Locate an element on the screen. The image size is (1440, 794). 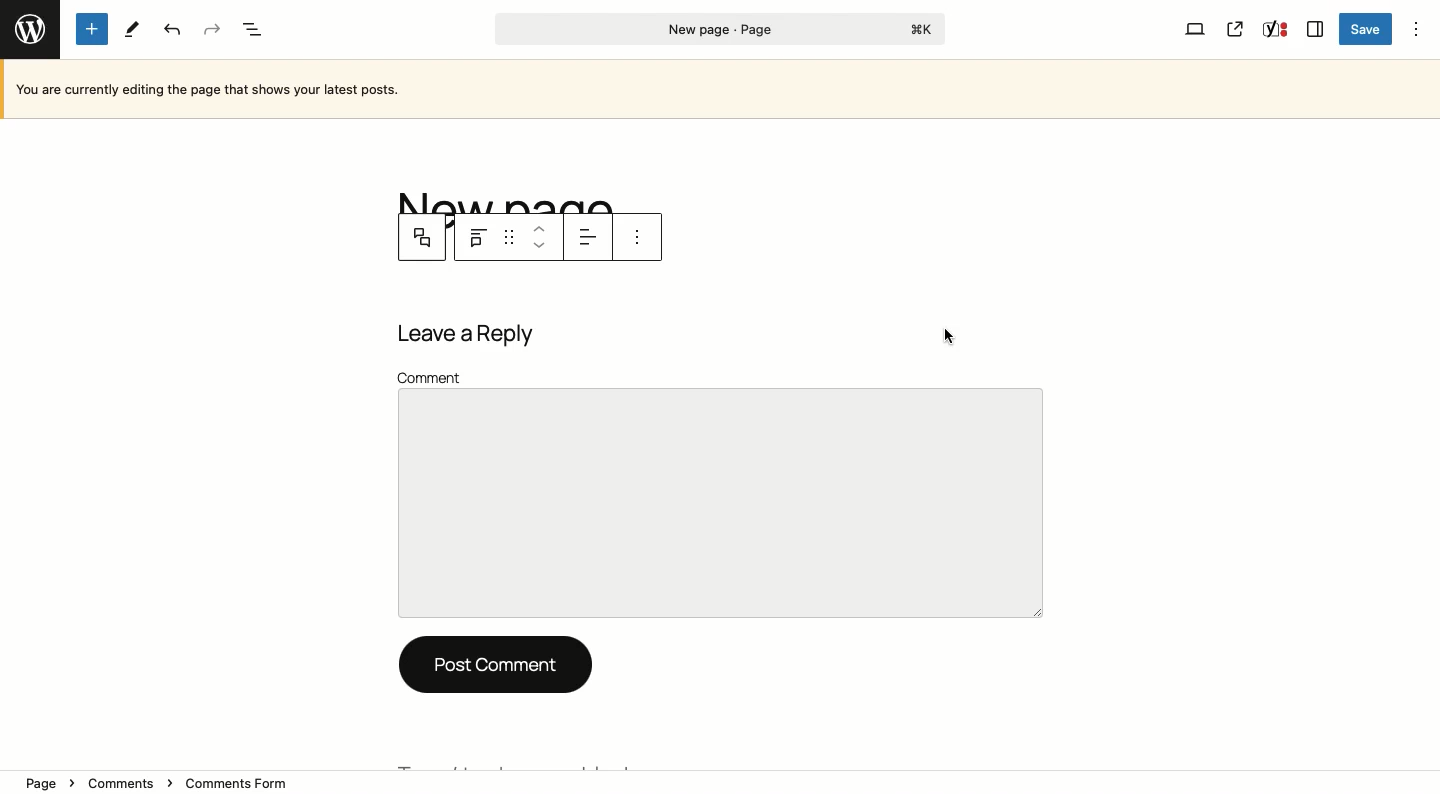
Leave a reply is located at coordinates (484, 331).